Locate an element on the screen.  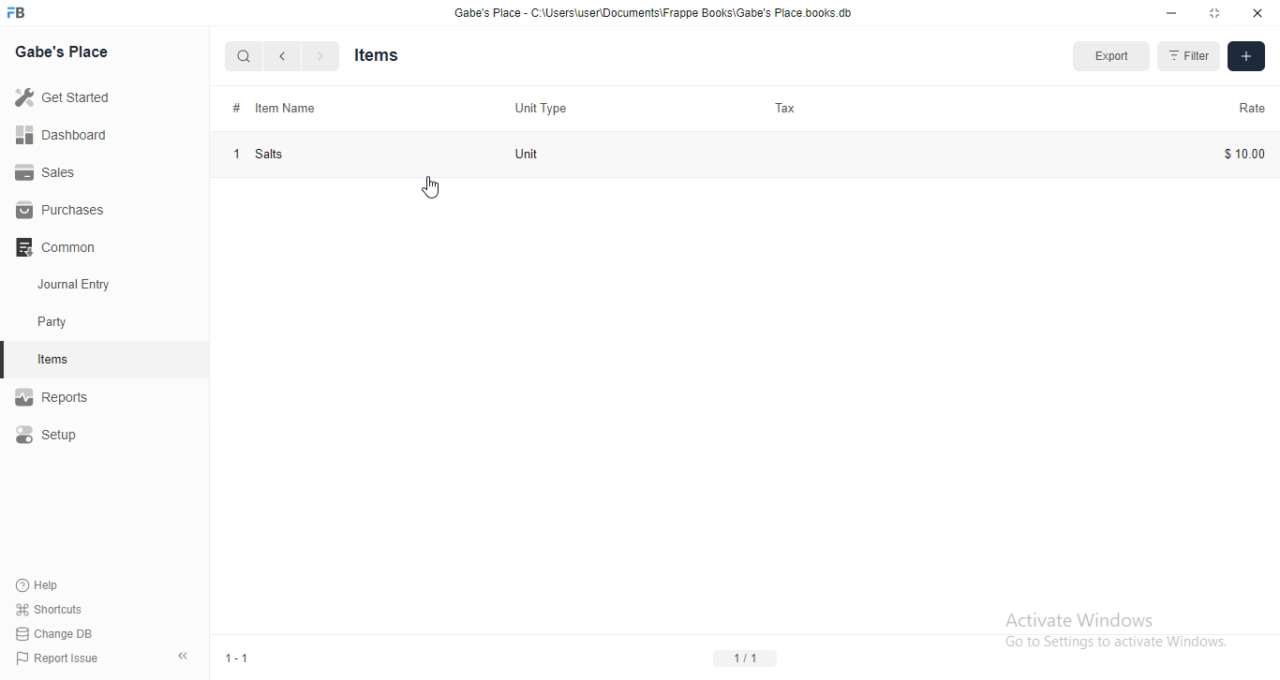
1/1 is located at coordinates (745, 658).